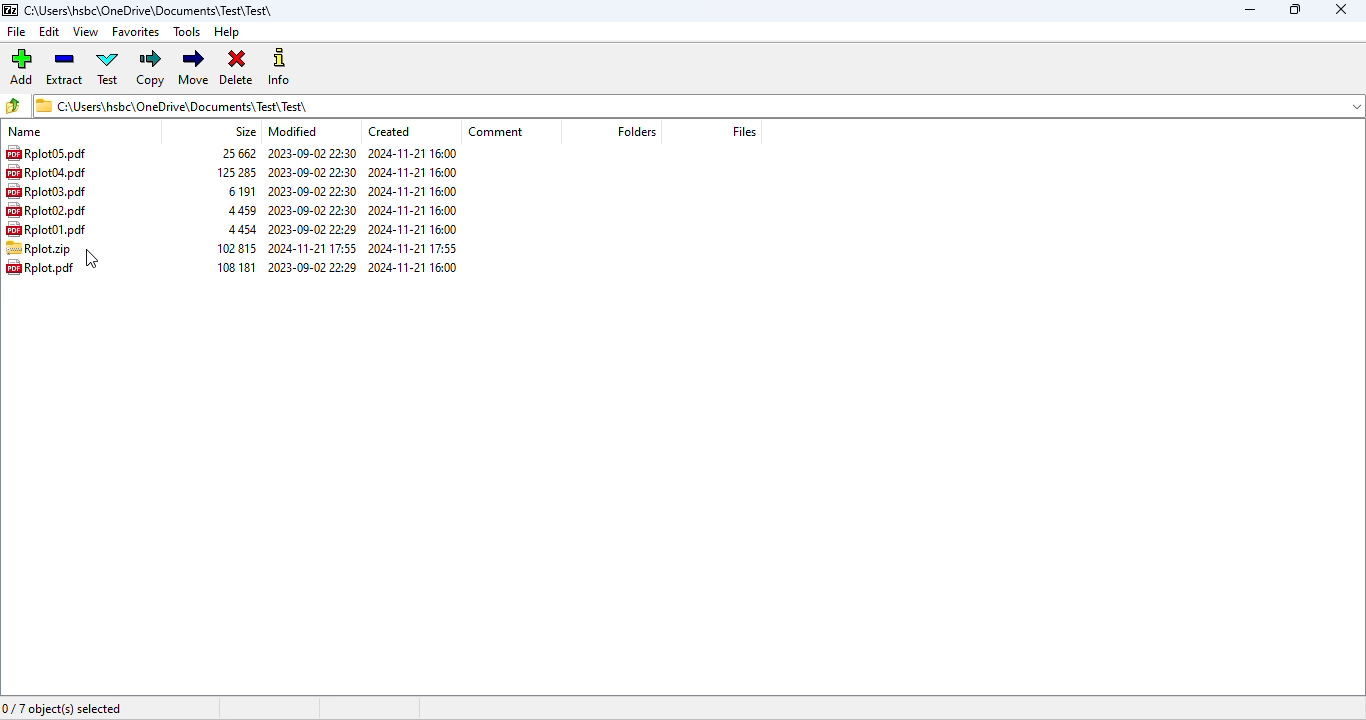 The width and height of the screenshot is (1366, 720). What do you see at coordinates (233, 267) in the screenshot?
I see `108181` at bounding box center [233, 267].